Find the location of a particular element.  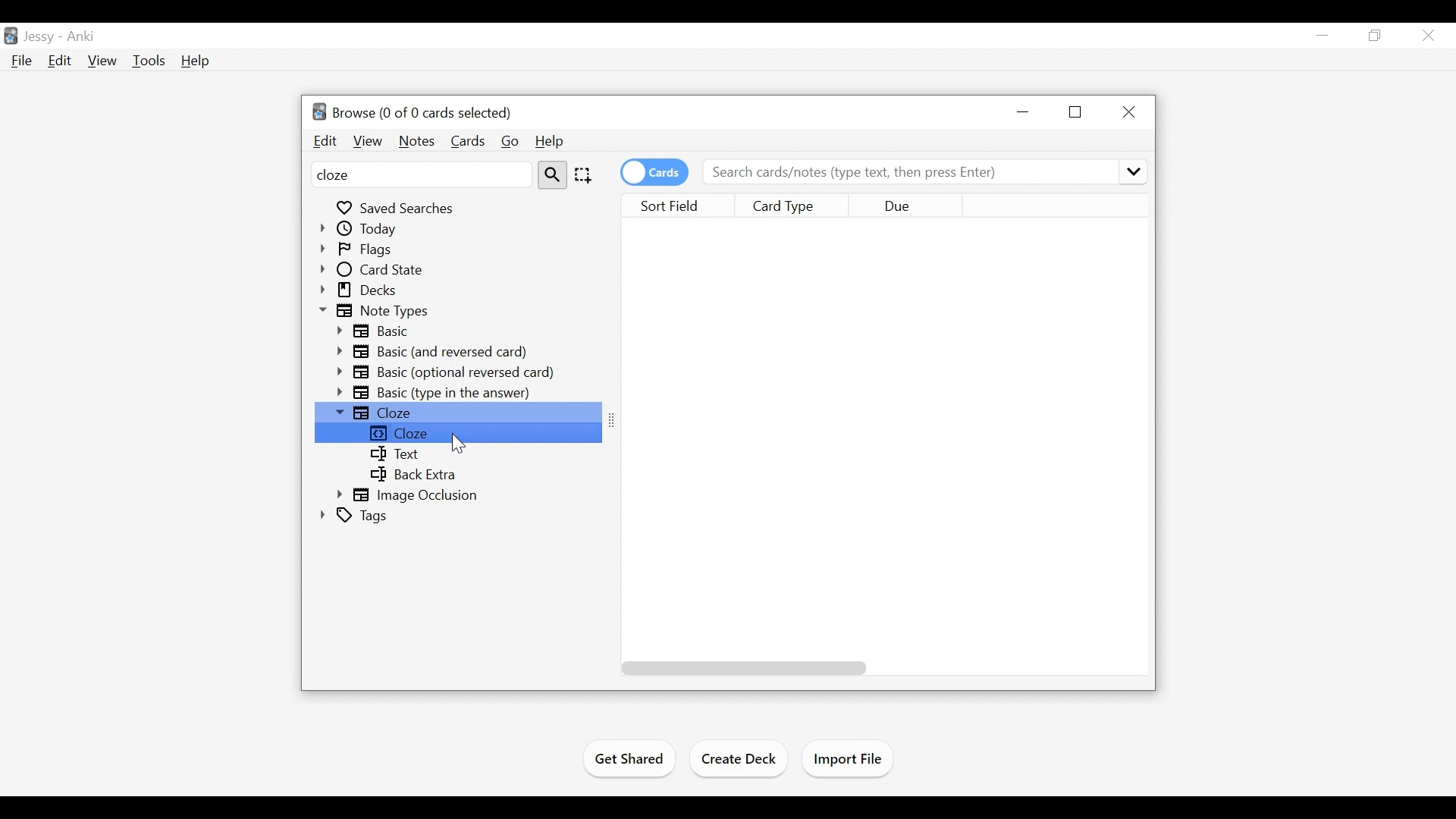

Edit is located at coordinates (61, 61).